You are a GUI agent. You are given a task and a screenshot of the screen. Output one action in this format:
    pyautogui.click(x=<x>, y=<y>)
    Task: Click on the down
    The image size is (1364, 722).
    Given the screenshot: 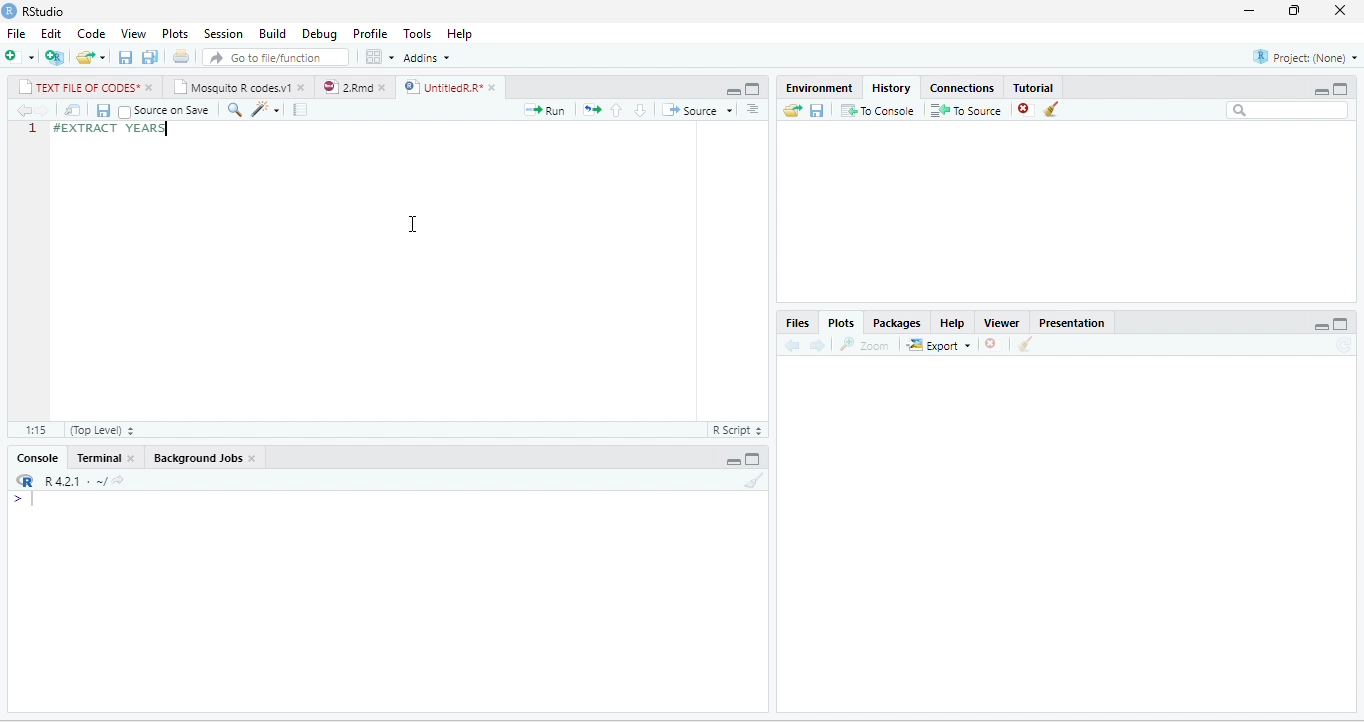 What is the action you would take?
    pyautogui.click(x=640, y=110)
    